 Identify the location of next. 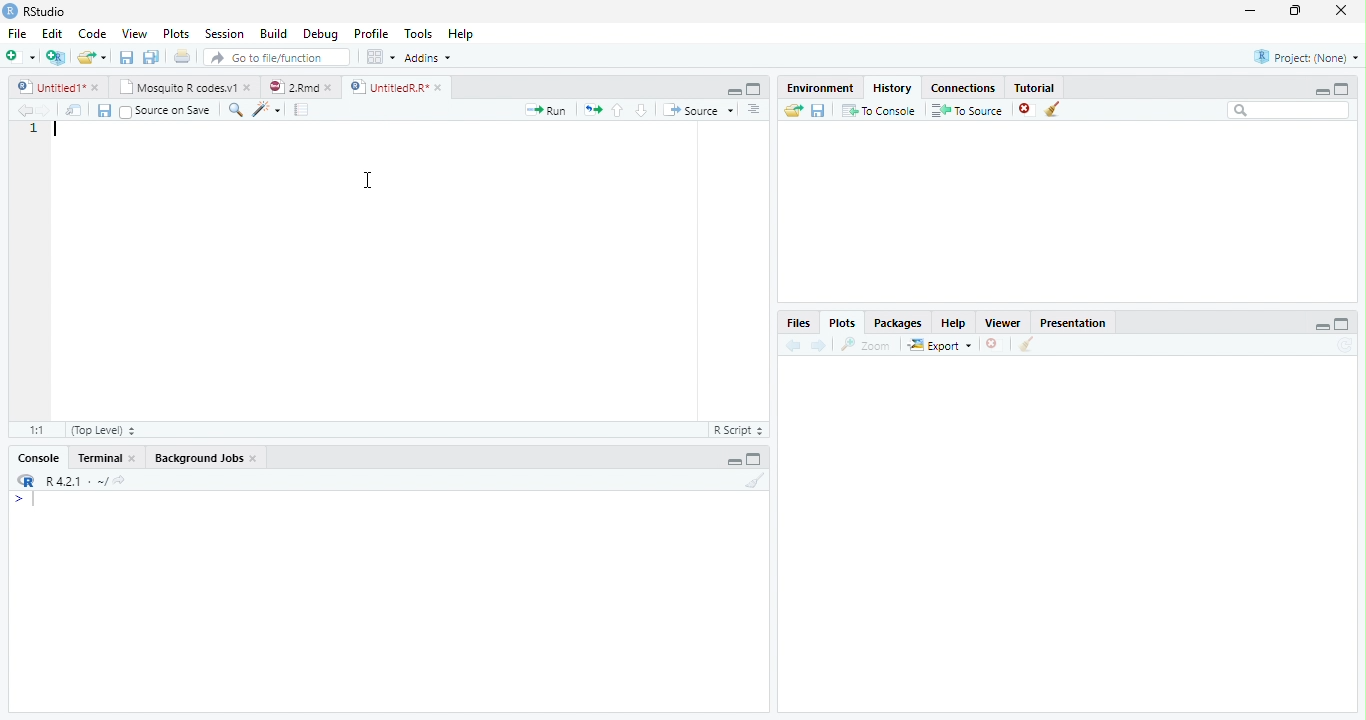
(52, 112).